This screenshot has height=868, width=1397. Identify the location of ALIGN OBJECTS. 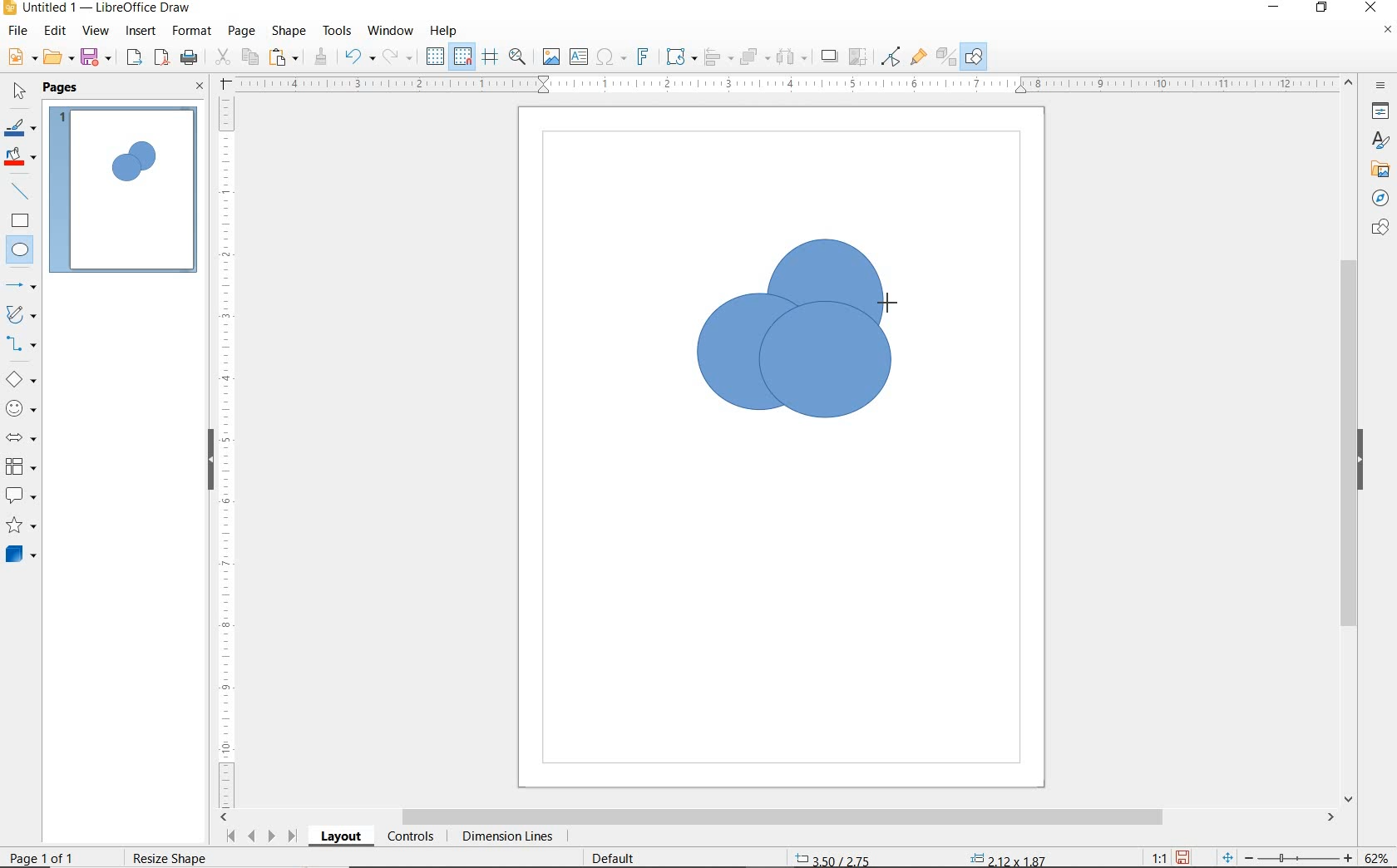
(717, 59).